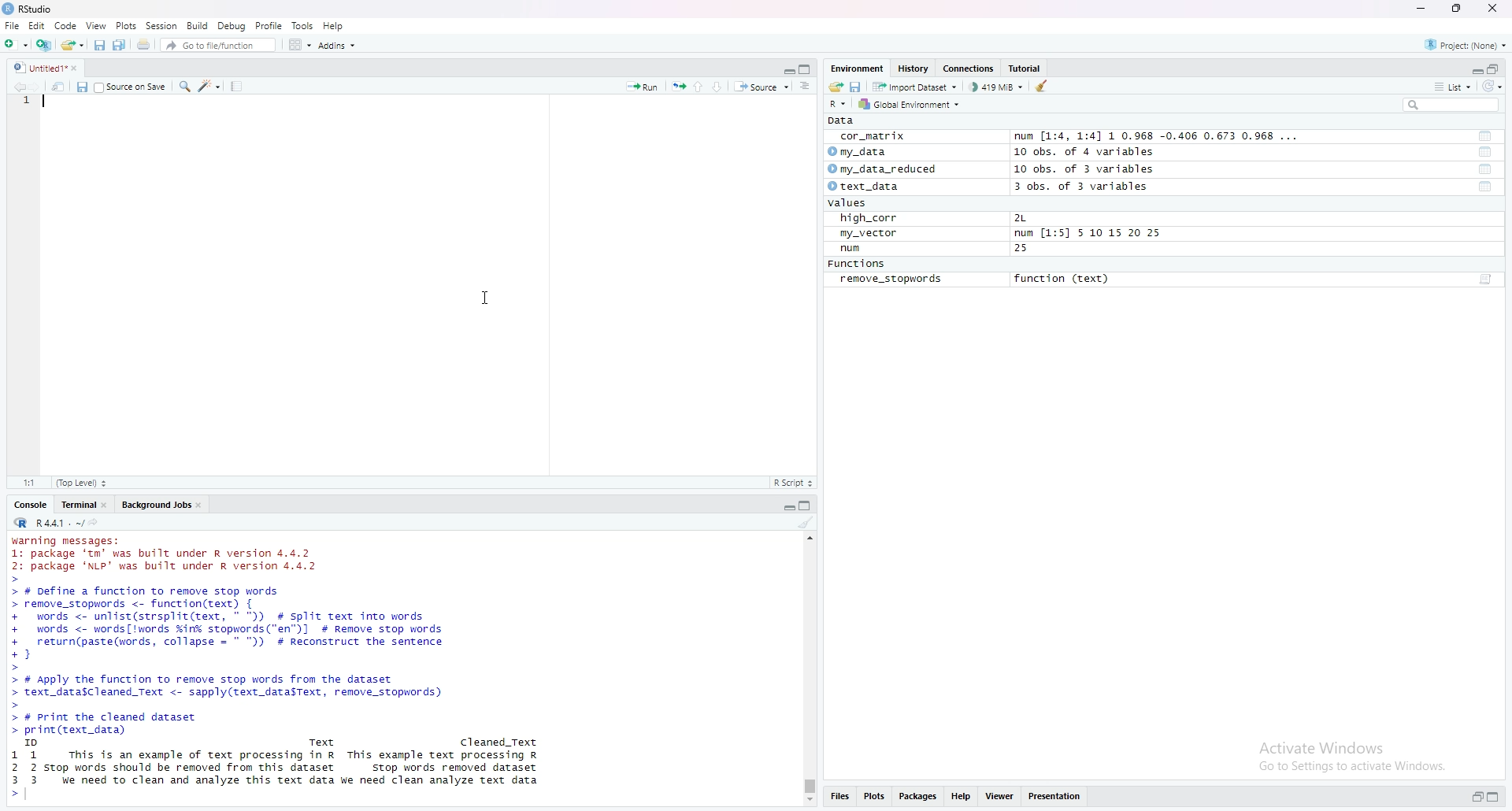 This screenshot has height=811, width=1512. What do you see at coordinates (236, 87) in the screenshot?
I see `Compile report` at bounding box center [236, 87].